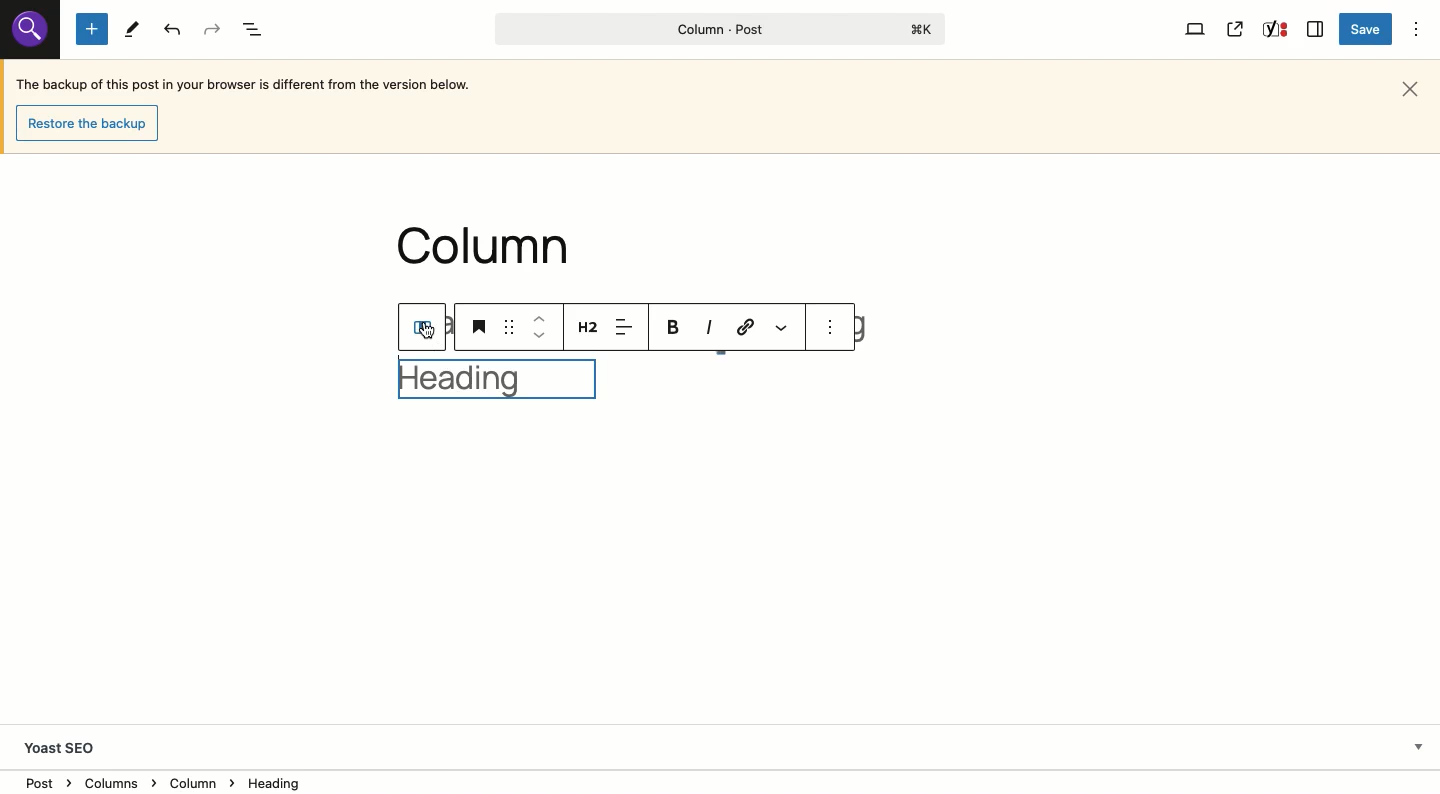  What do you see at coordinates (425, 334) in the screenshot?
I see `cursor` at bounding box center [425, 334].